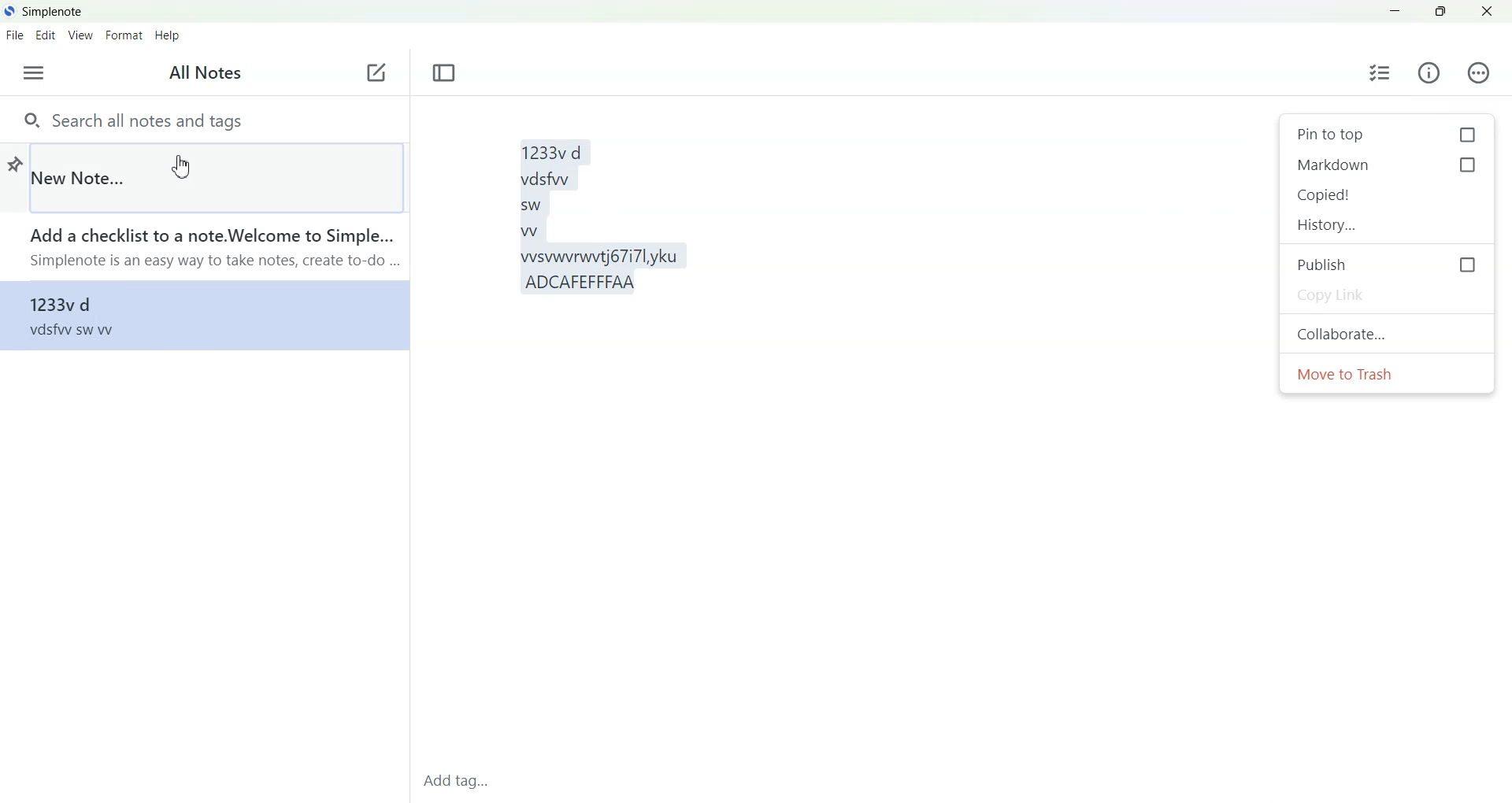  Describe the element at coordinates (845, 432) in the screenshot. I see `1233v d vdsfw sw W www677lyku ADCAFEFFFAA ` at that location.